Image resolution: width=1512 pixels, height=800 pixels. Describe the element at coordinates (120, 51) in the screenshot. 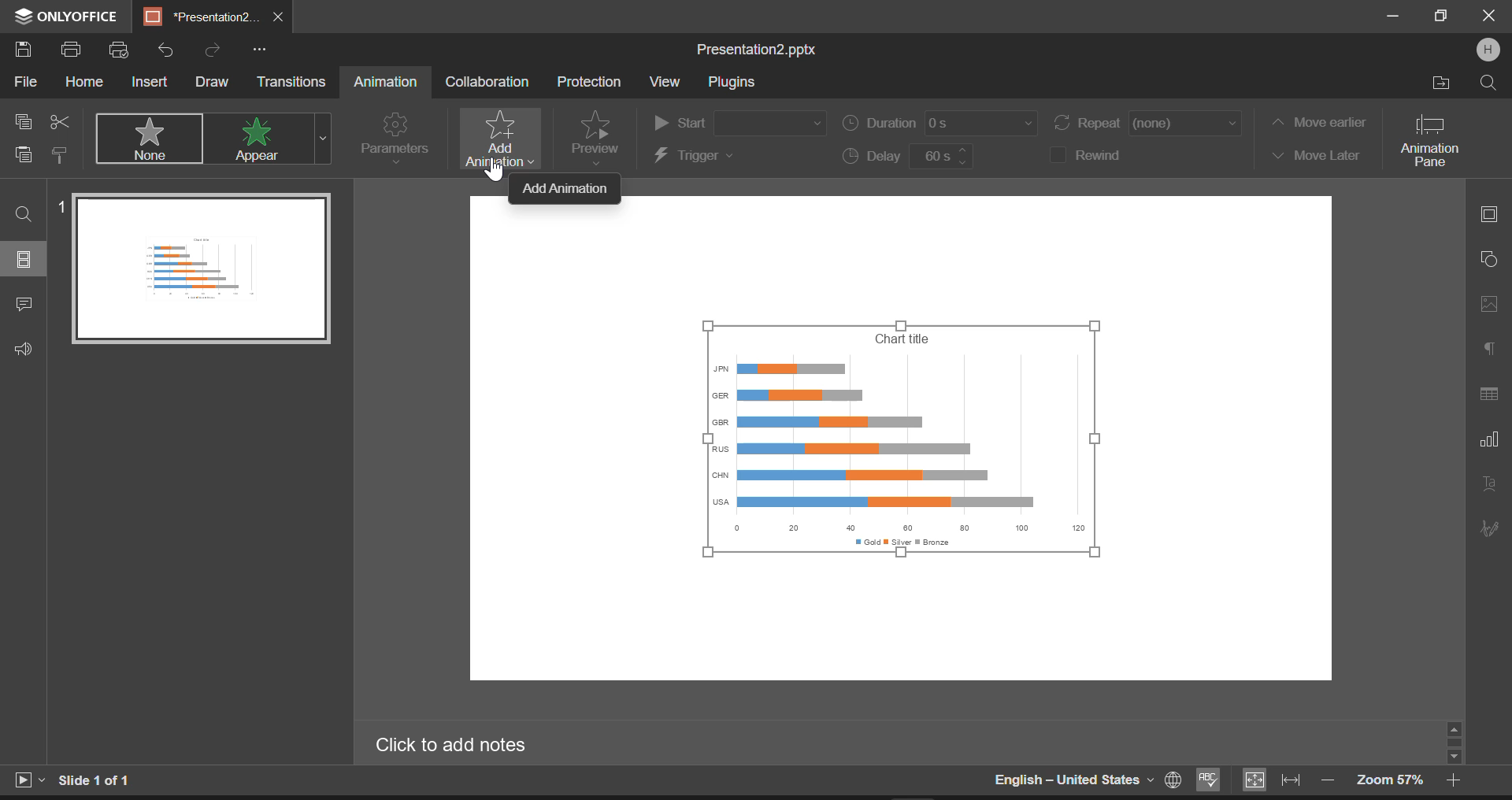

I see `Quick print` at that location.